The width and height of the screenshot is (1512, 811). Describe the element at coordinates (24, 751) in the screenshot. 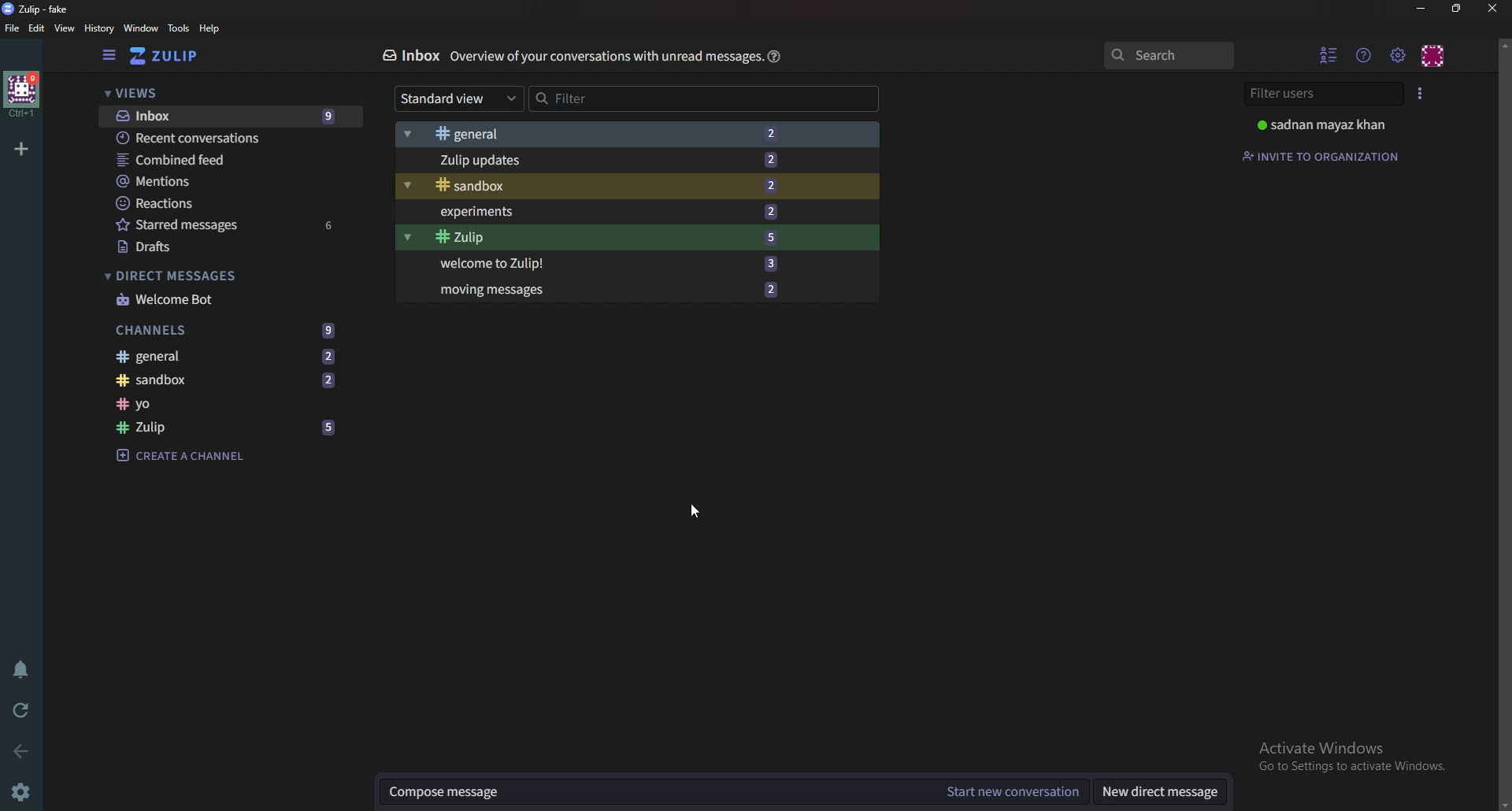

I see `back` at that location.